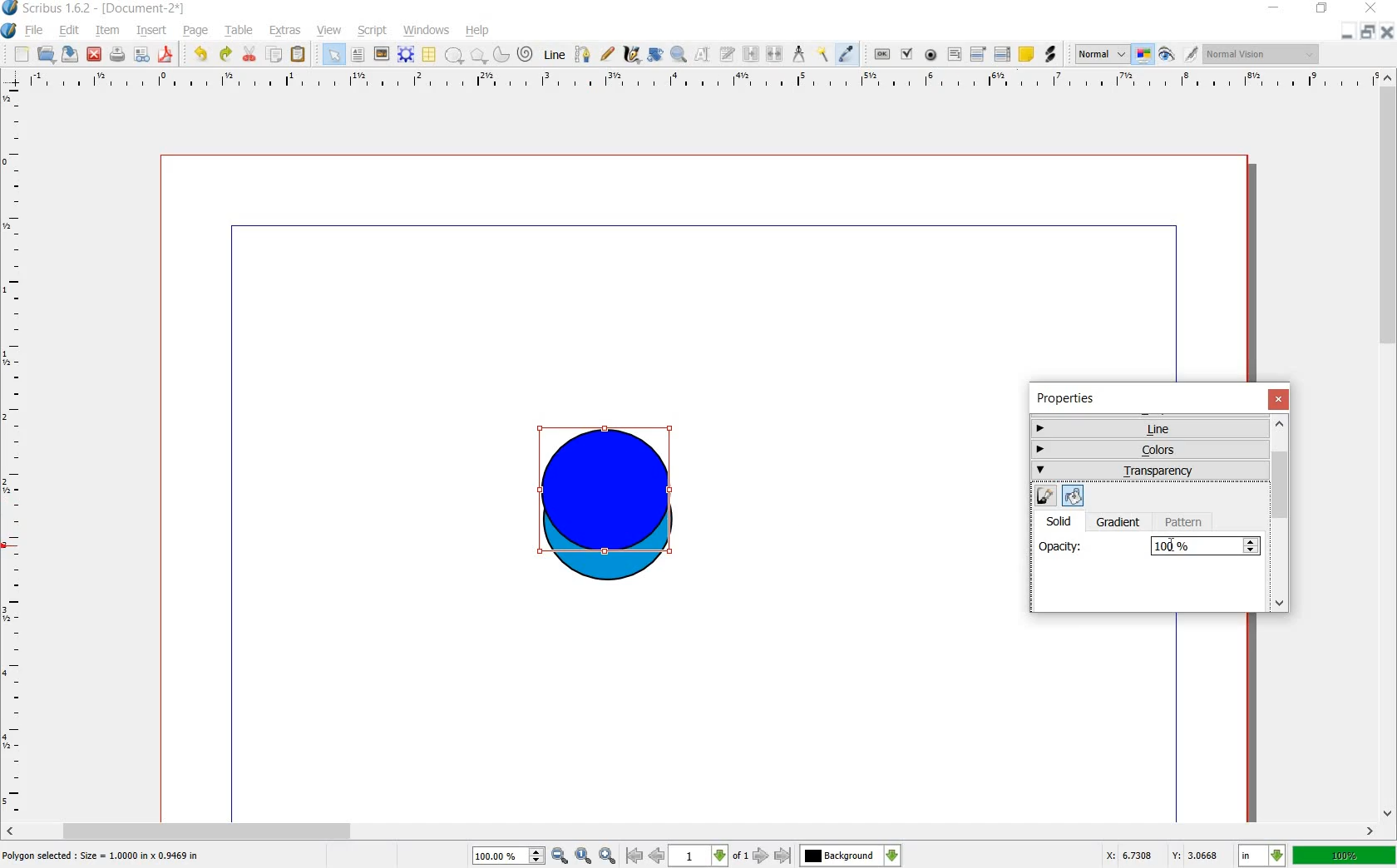 The image size is (1397, 868). What do you see at coordinates (1389, 442) in the screenshot?
I see `scroll bar` at bounding box center [1389, 442].